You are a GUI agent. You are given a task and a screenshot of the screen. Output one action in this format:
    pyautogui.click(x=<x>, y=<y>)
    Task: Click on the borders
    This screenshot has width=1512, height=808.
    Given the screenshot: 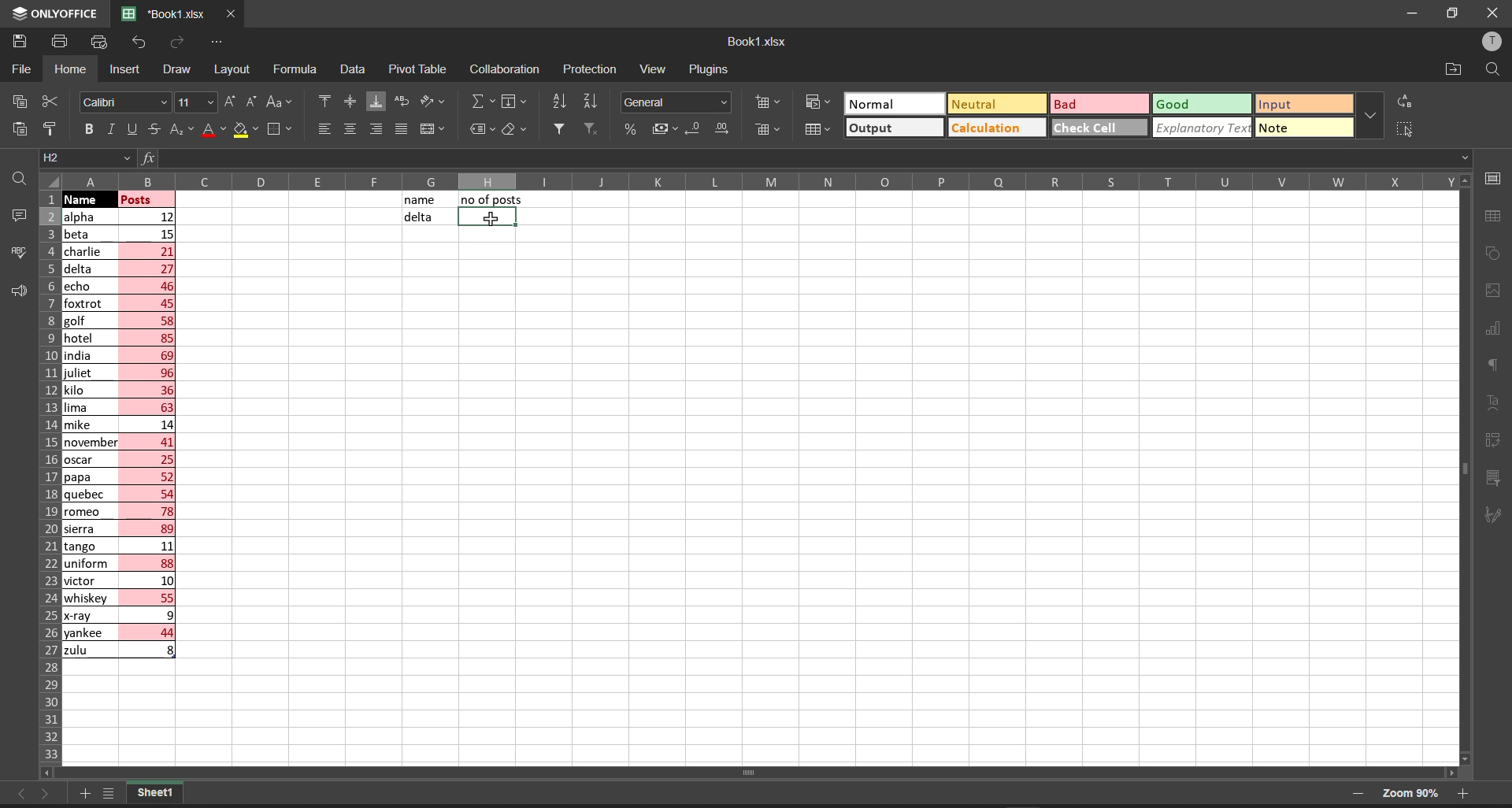 What is the action you would take?
    pyautogui.click(x=282, y=130)
    